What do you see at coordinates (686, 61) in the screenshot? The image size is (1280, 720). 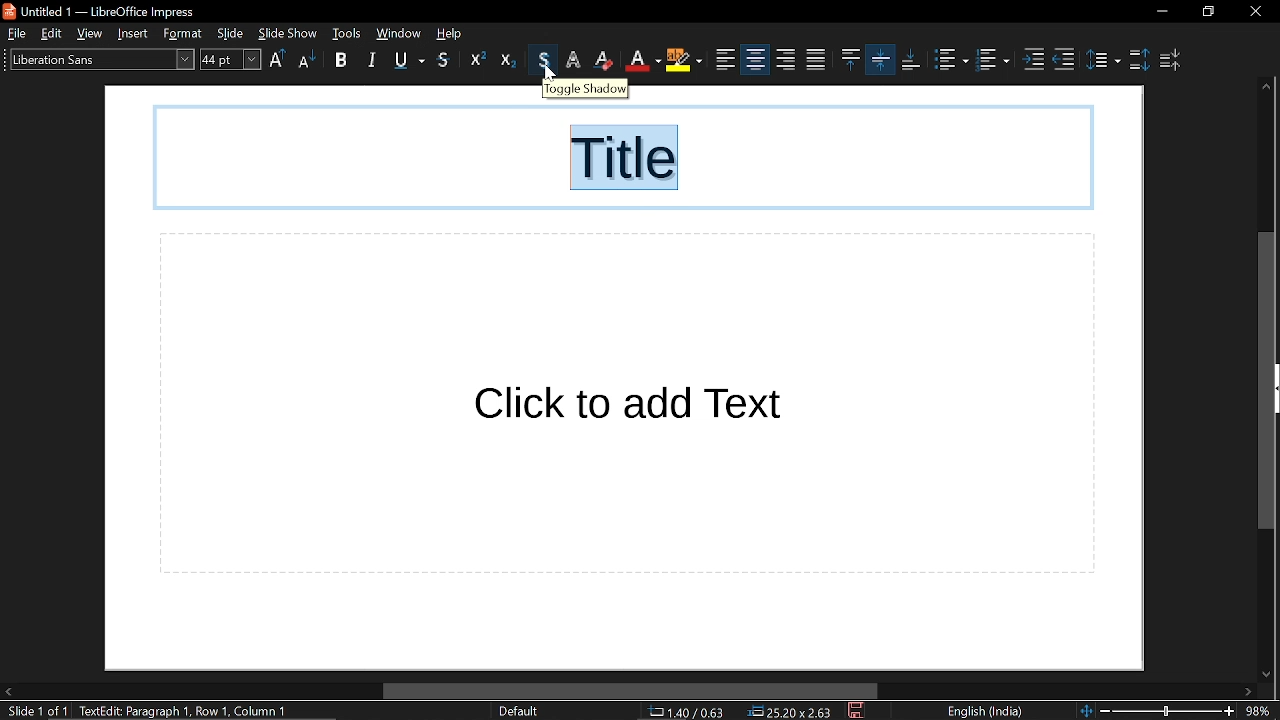 I see `align left` at bounding box center [686, 61].